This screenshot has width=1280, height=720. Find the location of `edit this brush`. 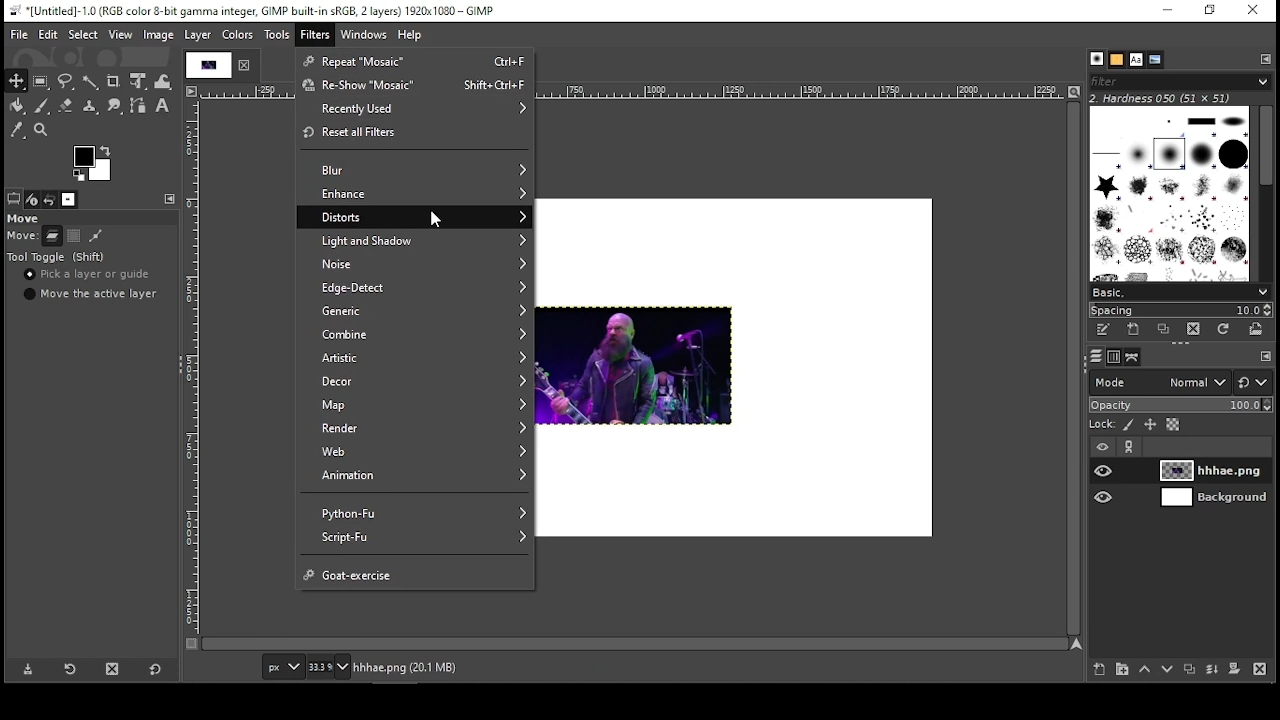

edit this brush is located at coordinates (1104, 331).